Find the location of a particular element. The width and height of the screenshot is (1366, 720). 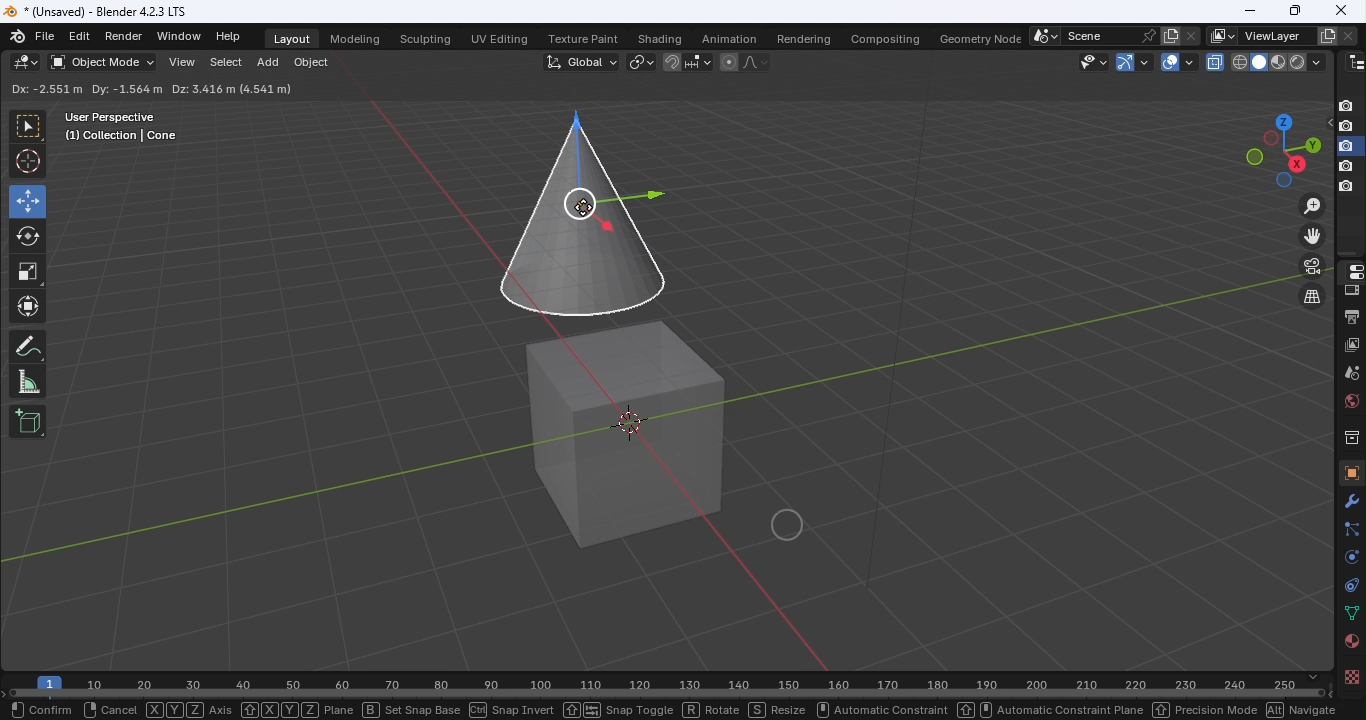

Object is located at coordinates (310, 65).